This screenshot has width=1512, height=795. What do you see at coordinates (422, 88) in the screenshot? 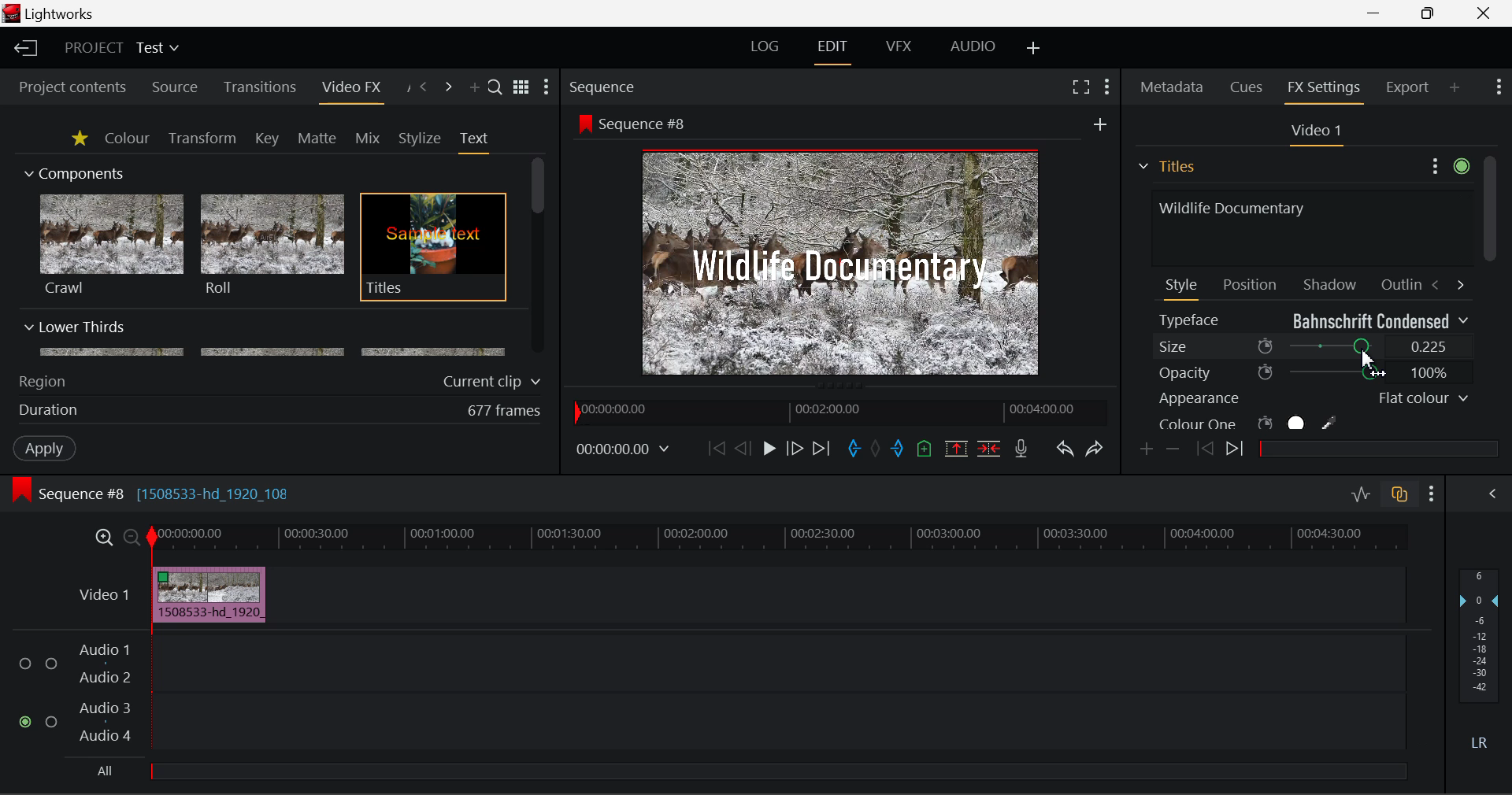
I see `Previous Panel` at bounding box center [422, 88].